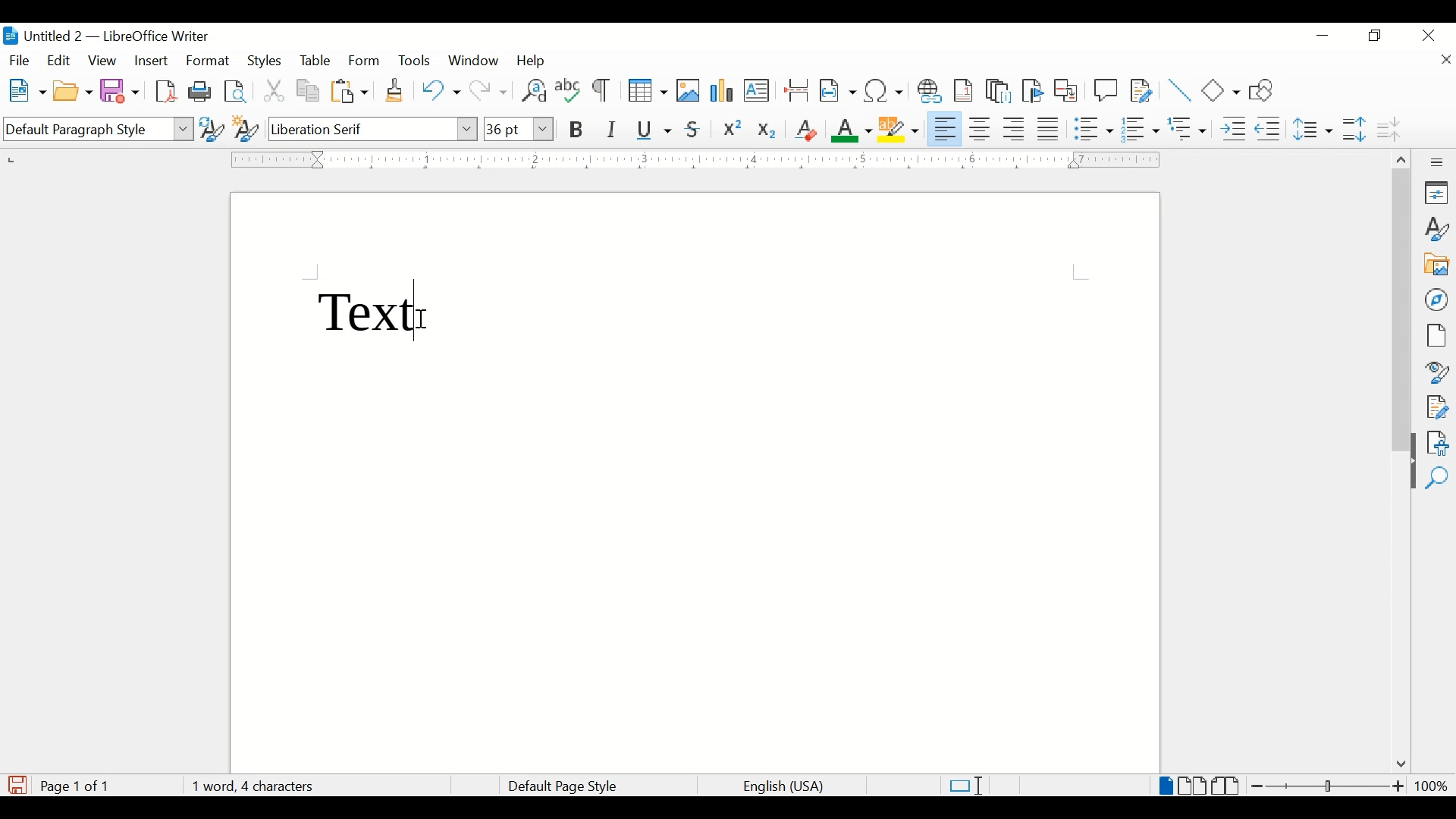 The width and height of the screenshot is (1456, 819). Describe the element at coordinates (104, 61) in the screenshot. I see `view` at that location.